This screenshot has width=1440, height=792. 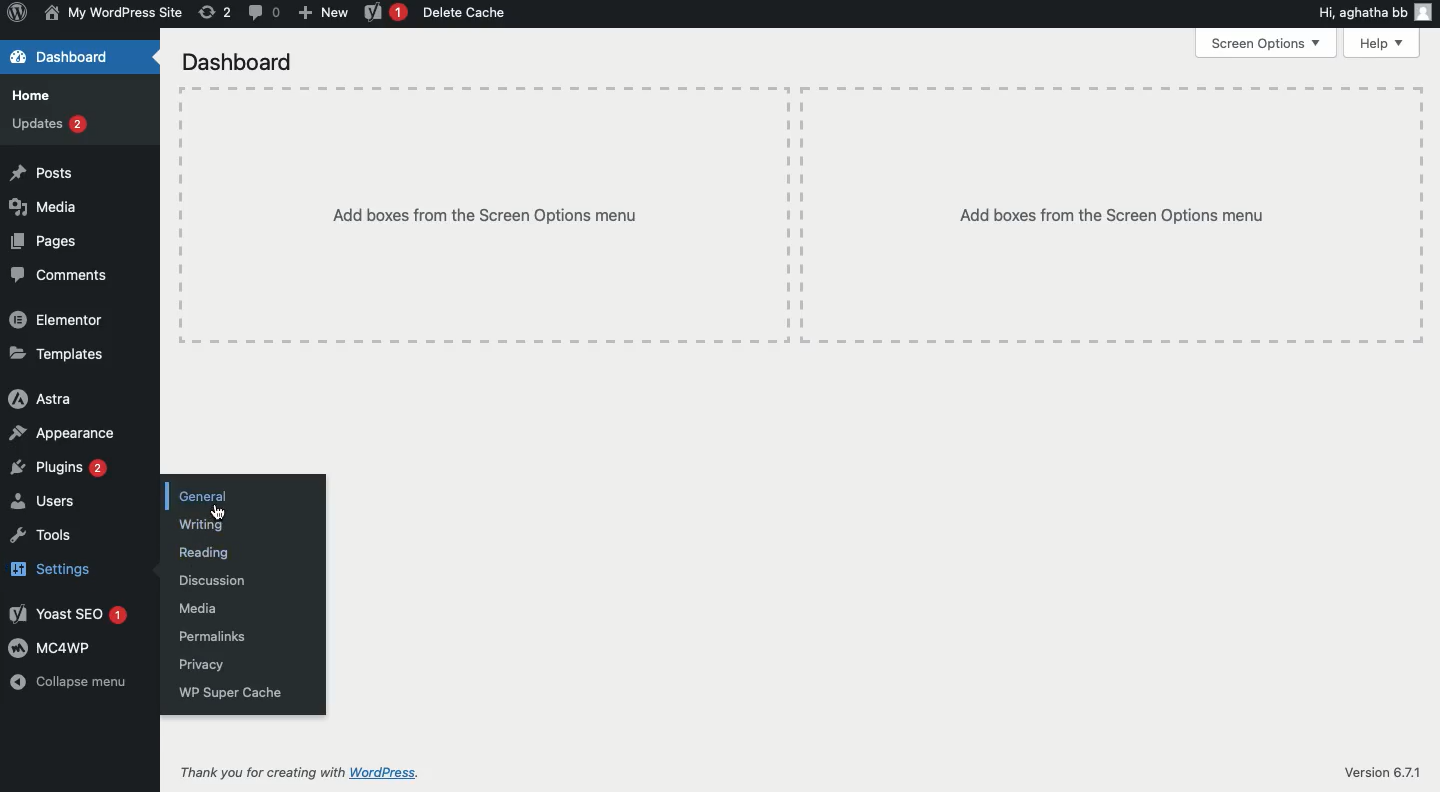 What do you see at coordinates (208, 636) in the screenshot?
I see `Permalinks` at bounding box center [208, 636].